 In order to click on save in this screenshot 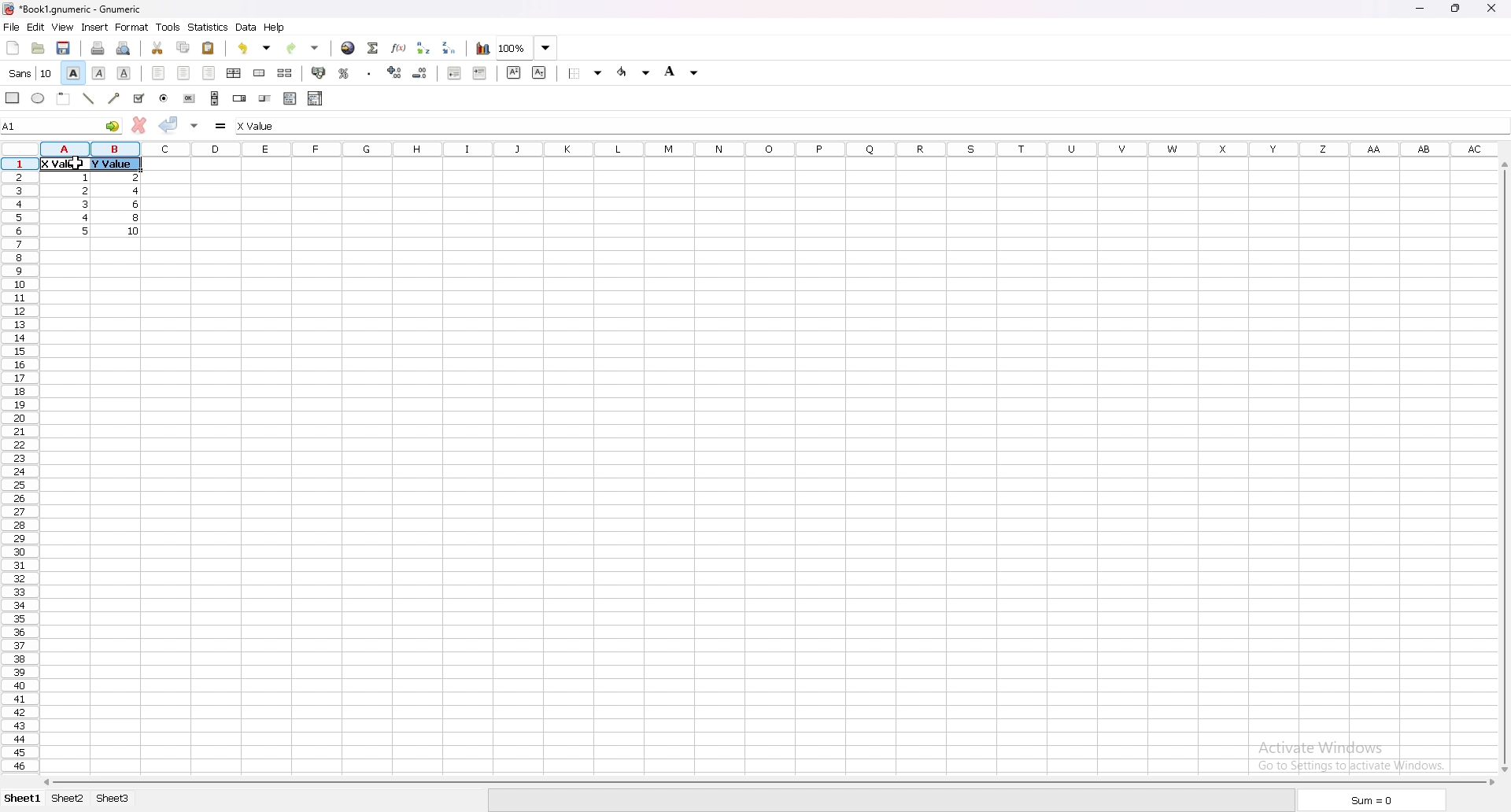, I will do `click(63, 48)`.